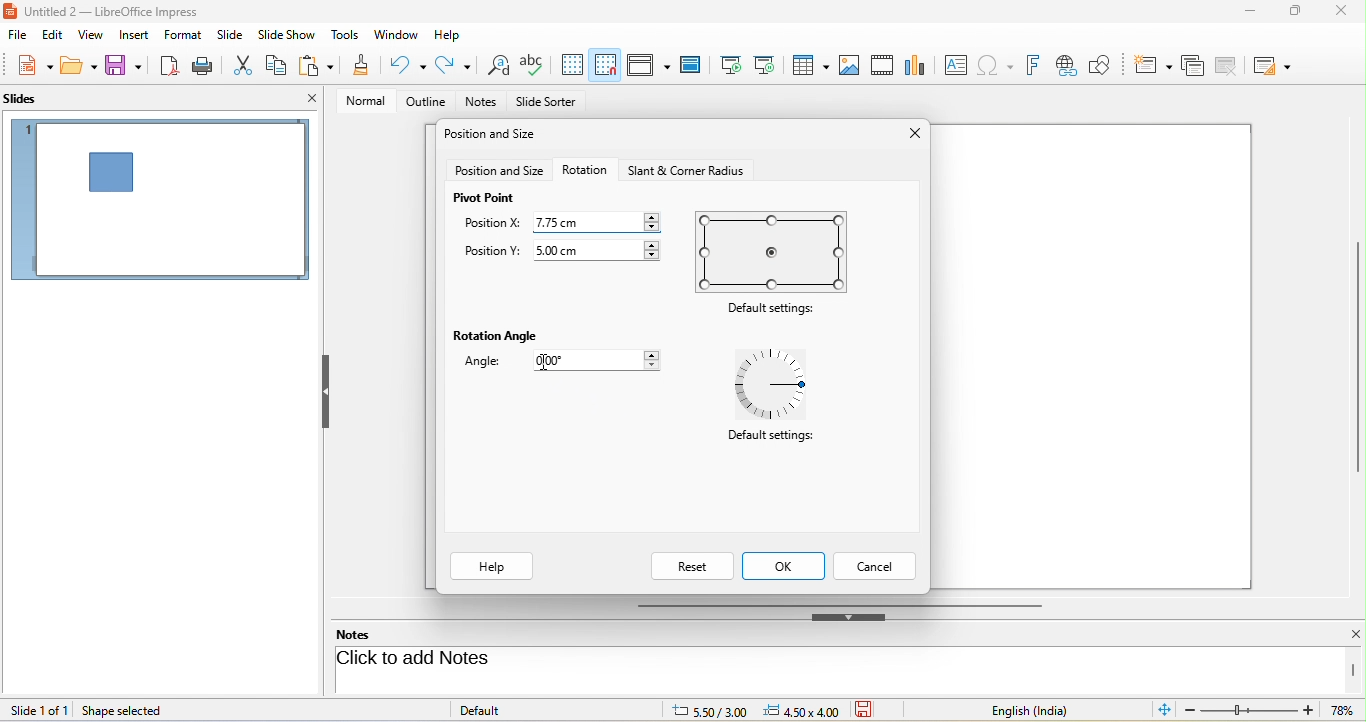 This screenshot has width=1366, height=722. Describe the element at coordinates (549, 361) in the screenshot. I see `cursor movement` at that location.